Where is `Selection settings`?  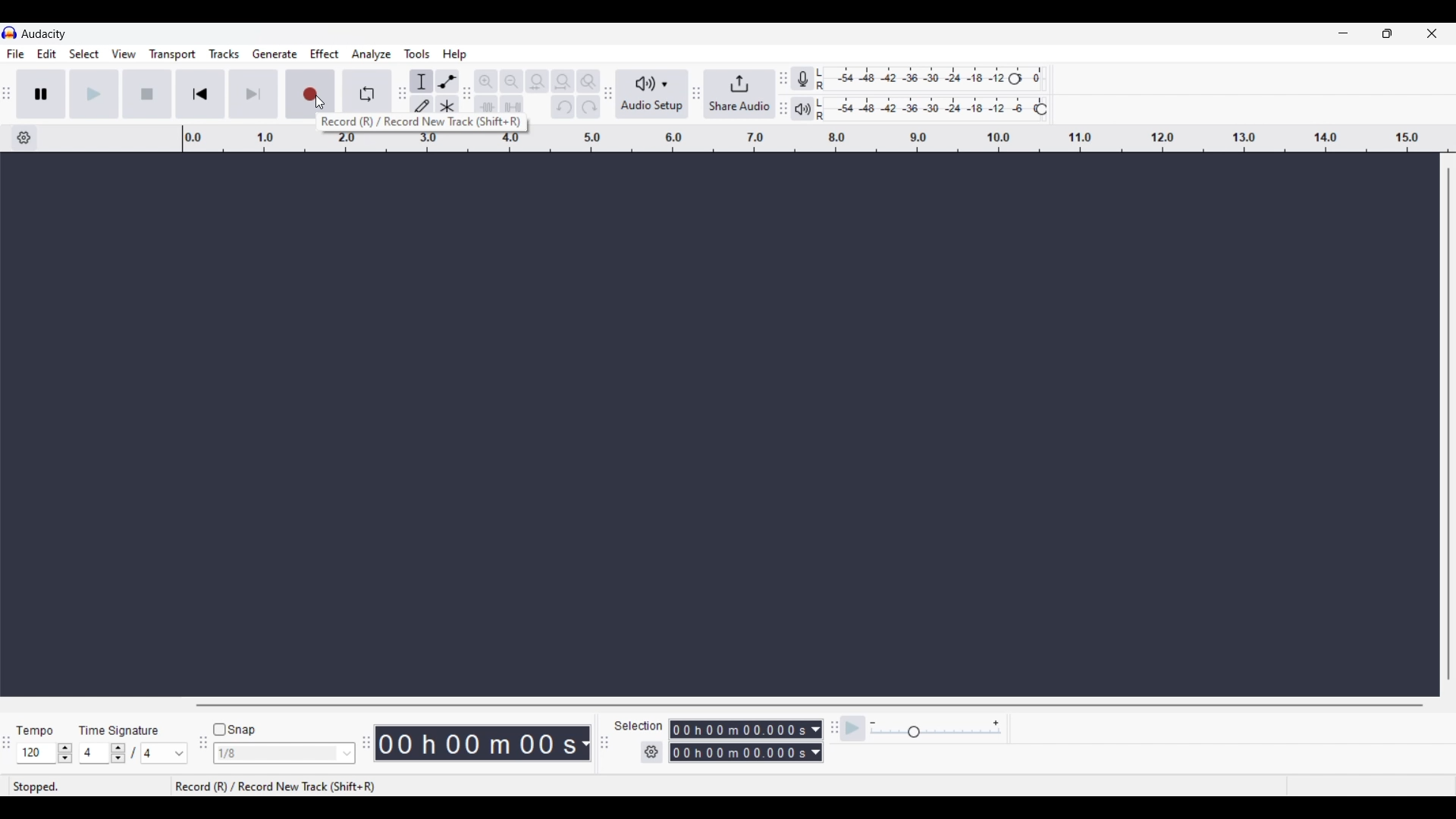
Selection settings is located at coordinates (652, 753).